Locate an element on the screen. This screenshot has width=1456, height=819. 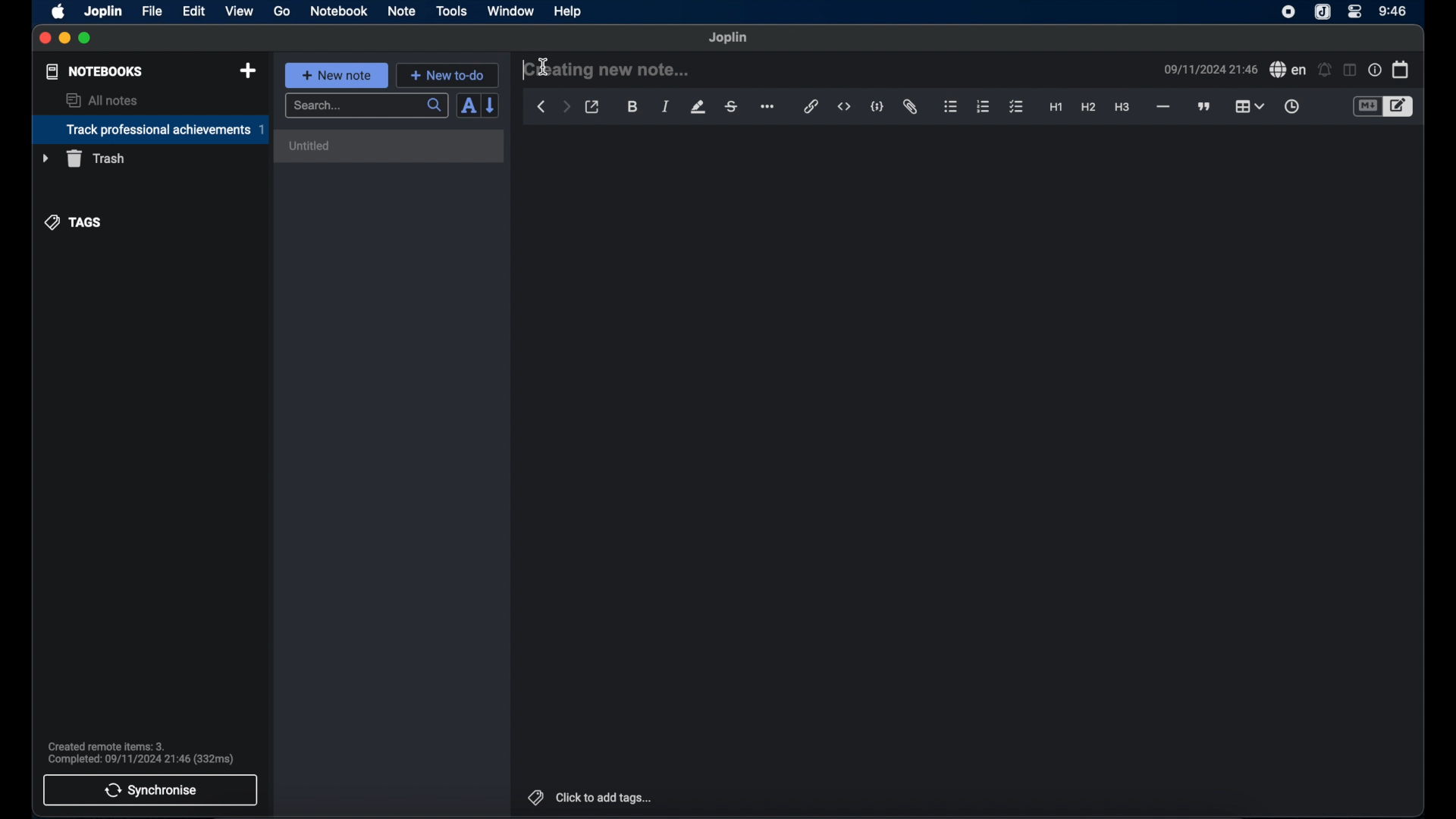
italic is located at coordinates (666, 108).